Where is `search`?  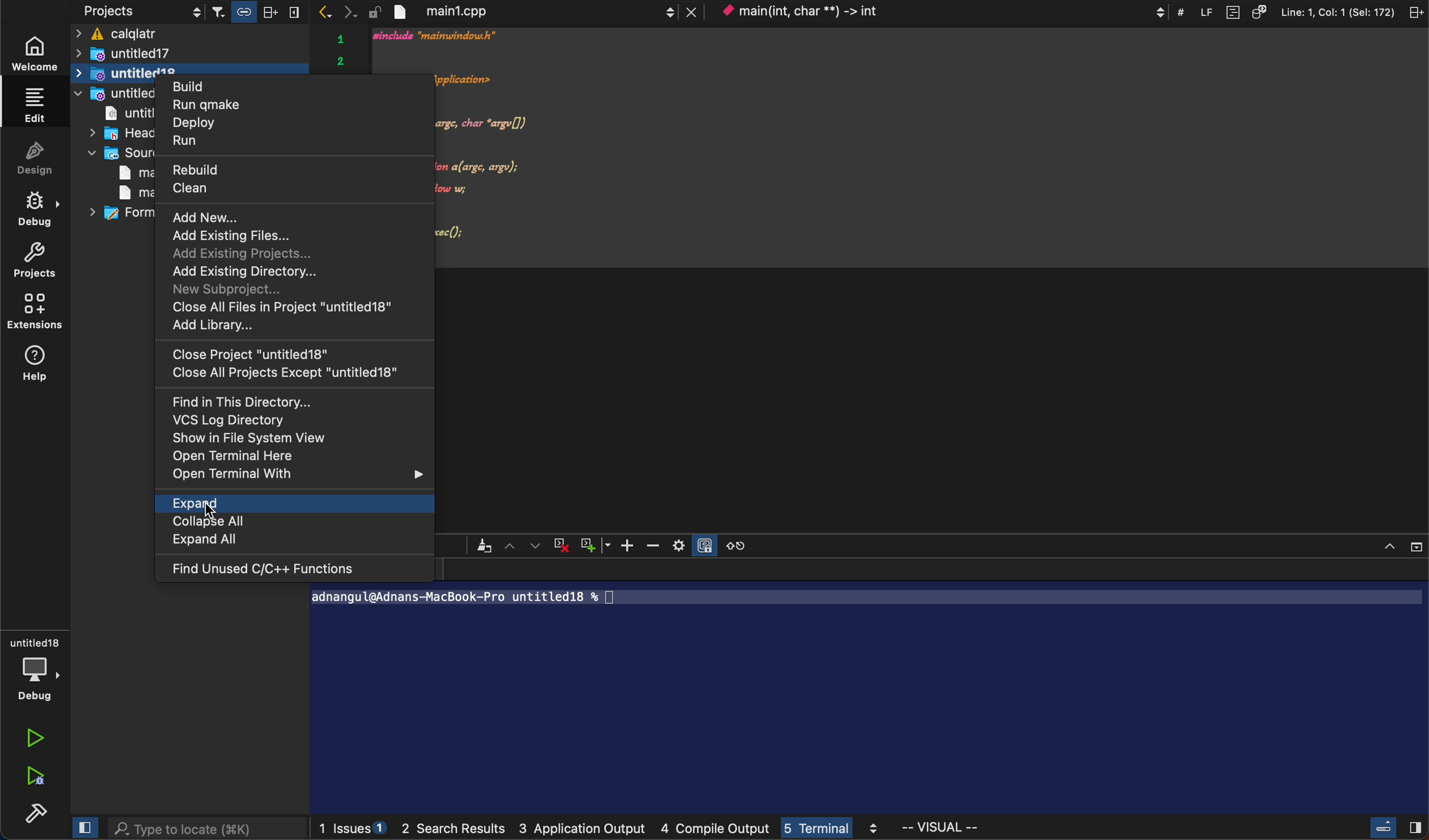 search is located at coordinates (204, 827).